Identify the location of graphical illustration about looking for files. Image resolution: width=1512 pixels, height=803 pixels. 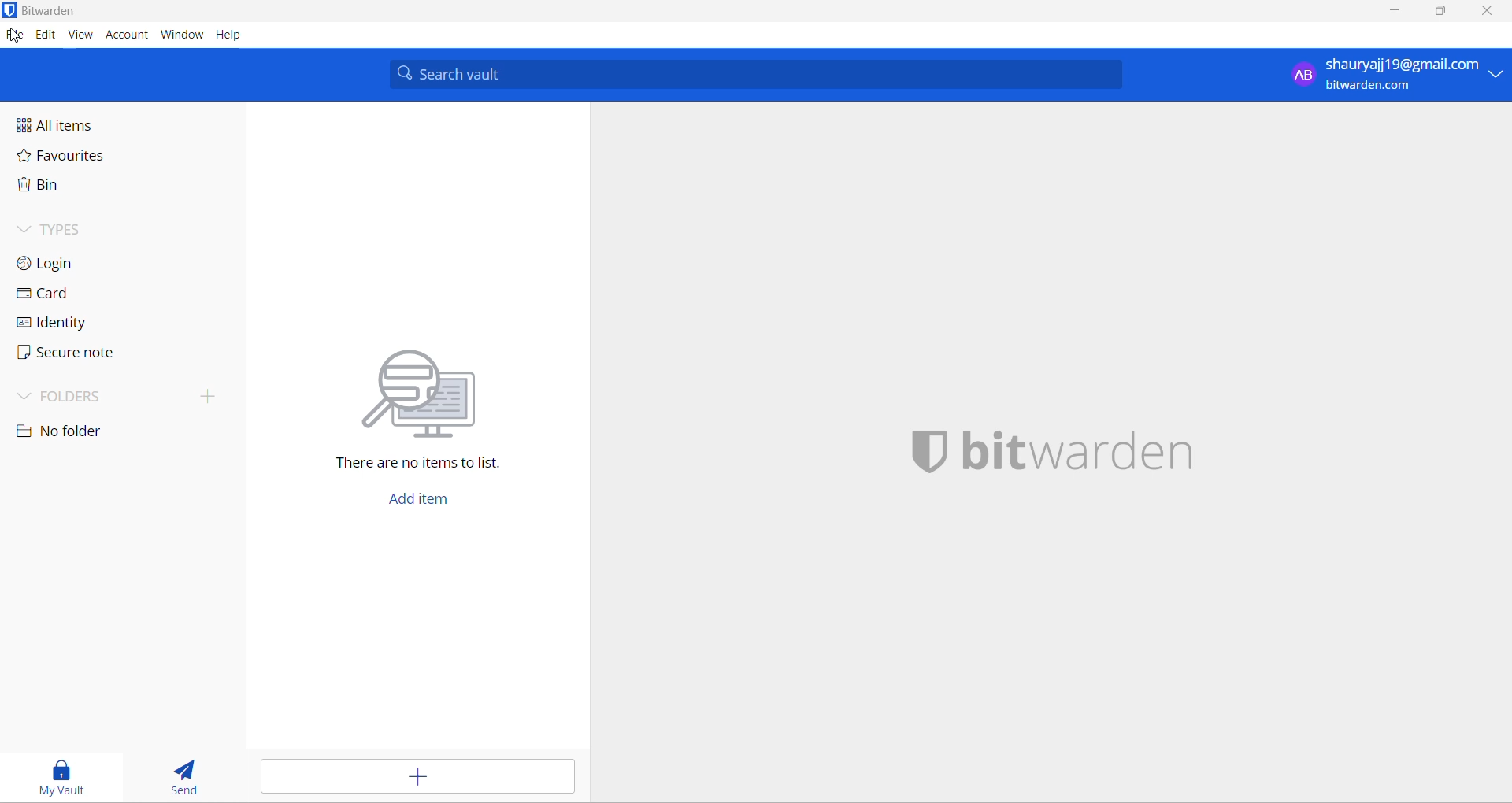
(428, 395).